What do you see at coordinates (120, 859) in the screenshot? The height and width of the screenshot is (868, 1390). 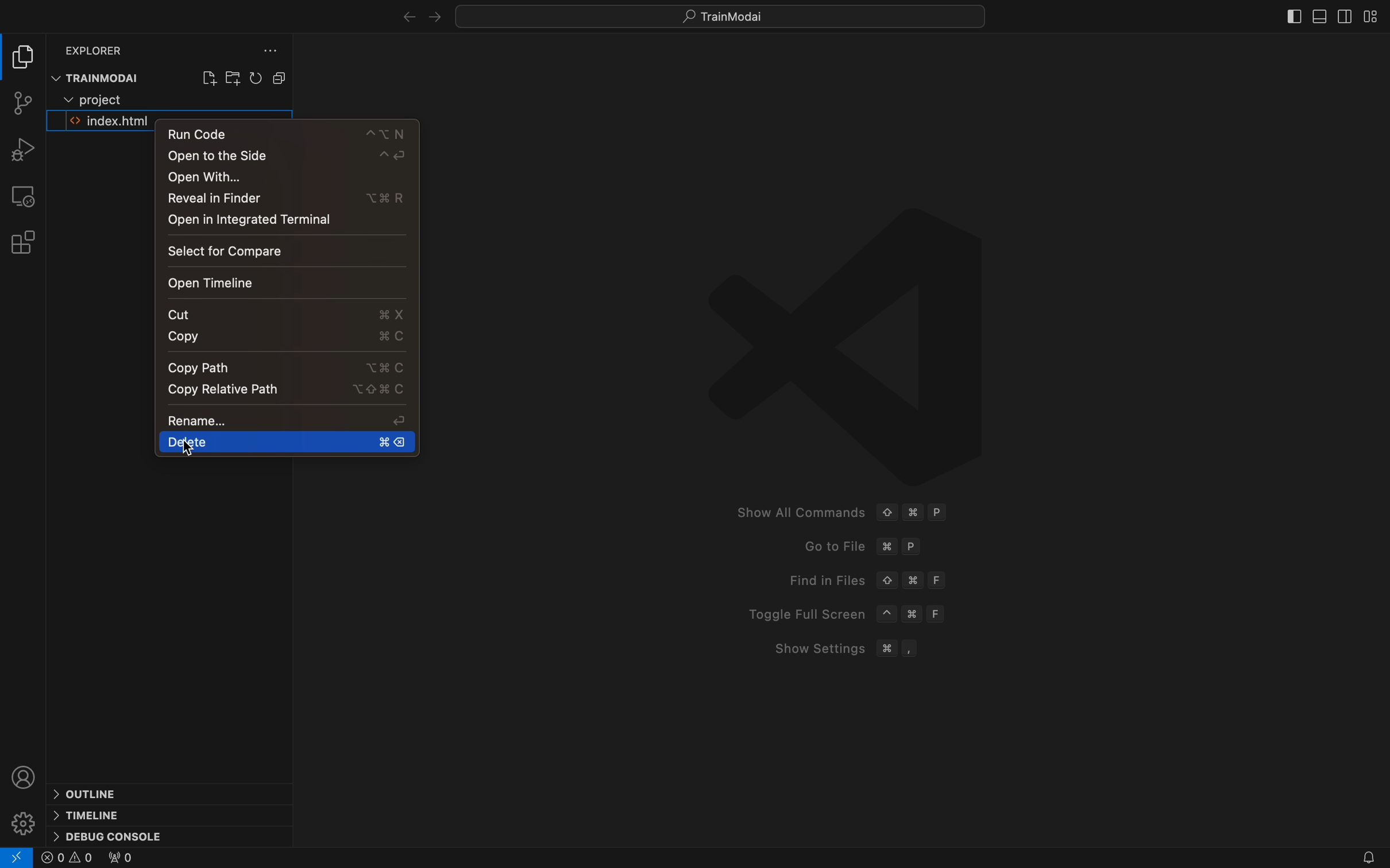 I see `0` at bounding box center [120, 859].